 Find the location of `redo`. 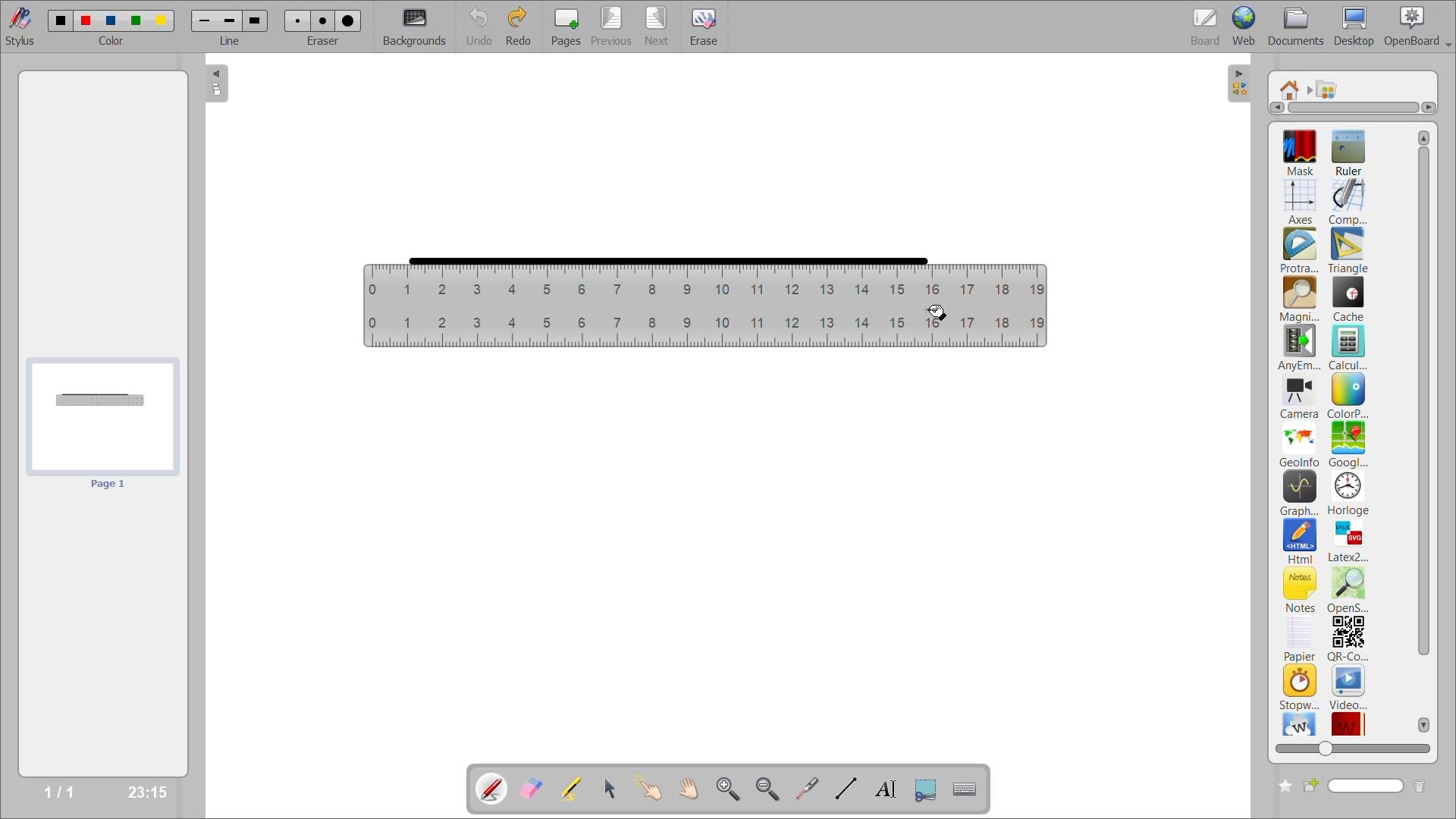

redo is located at coordinates (522, 25).